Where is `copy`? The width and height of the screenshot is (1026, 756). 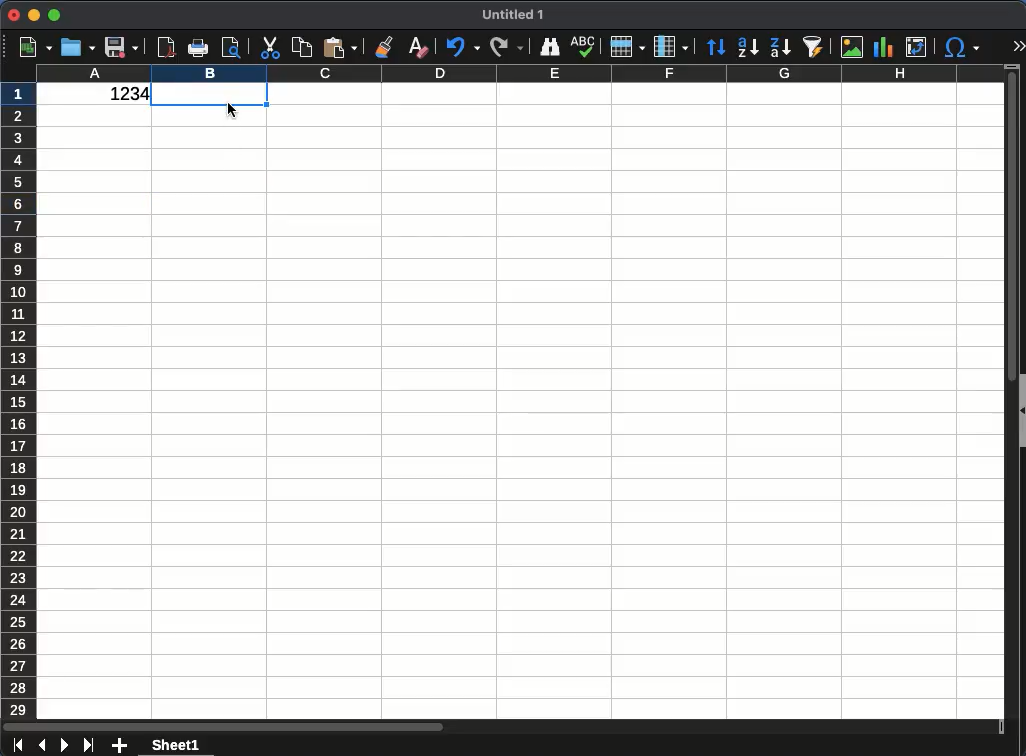 copy is located at coordinates (301, 48).